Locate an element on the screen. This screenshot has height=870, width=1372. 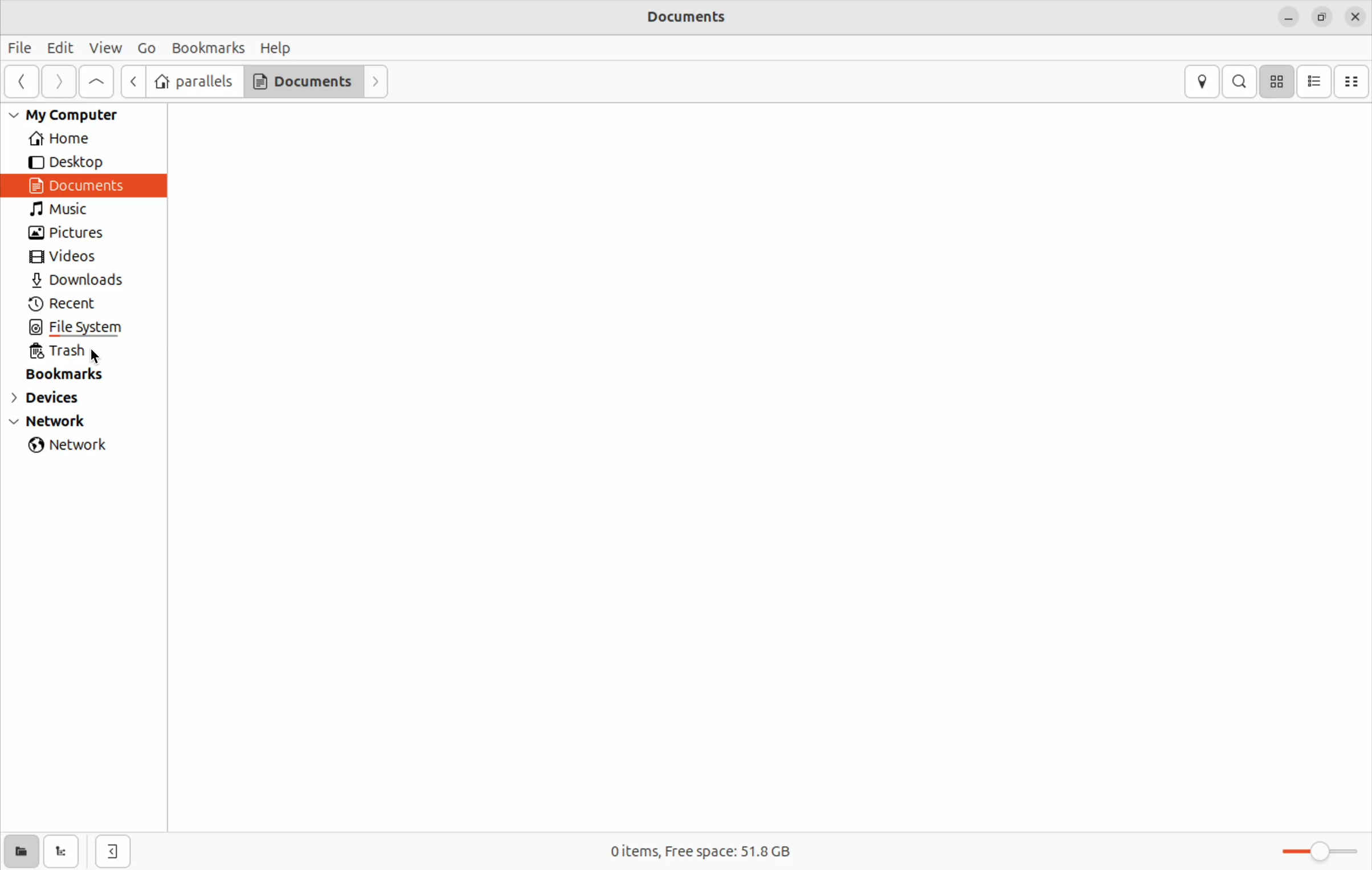
documents is located at coordinates (303, 82).